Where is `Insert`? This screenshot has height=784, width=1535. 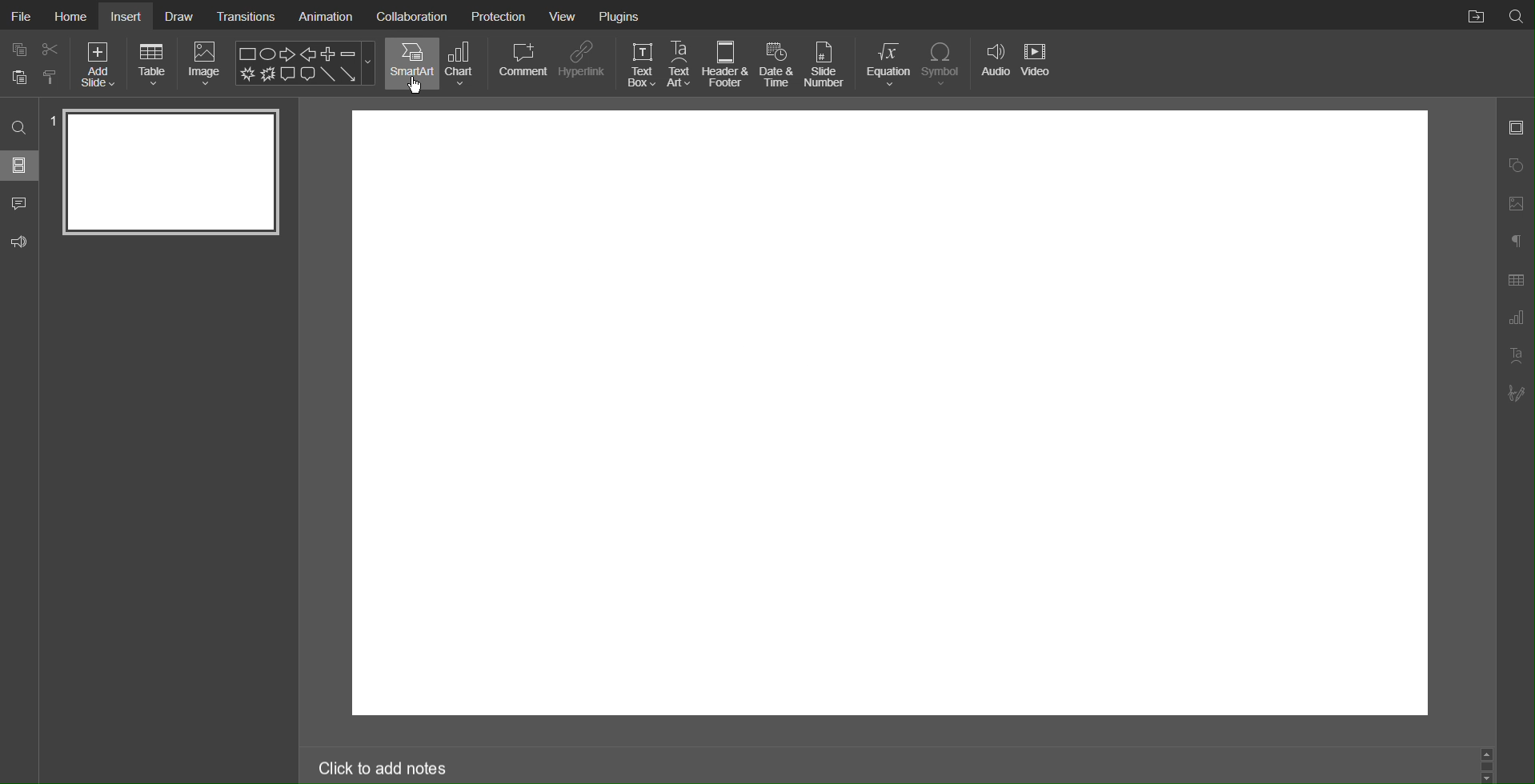 Insert is located at coordinates (128, 16).